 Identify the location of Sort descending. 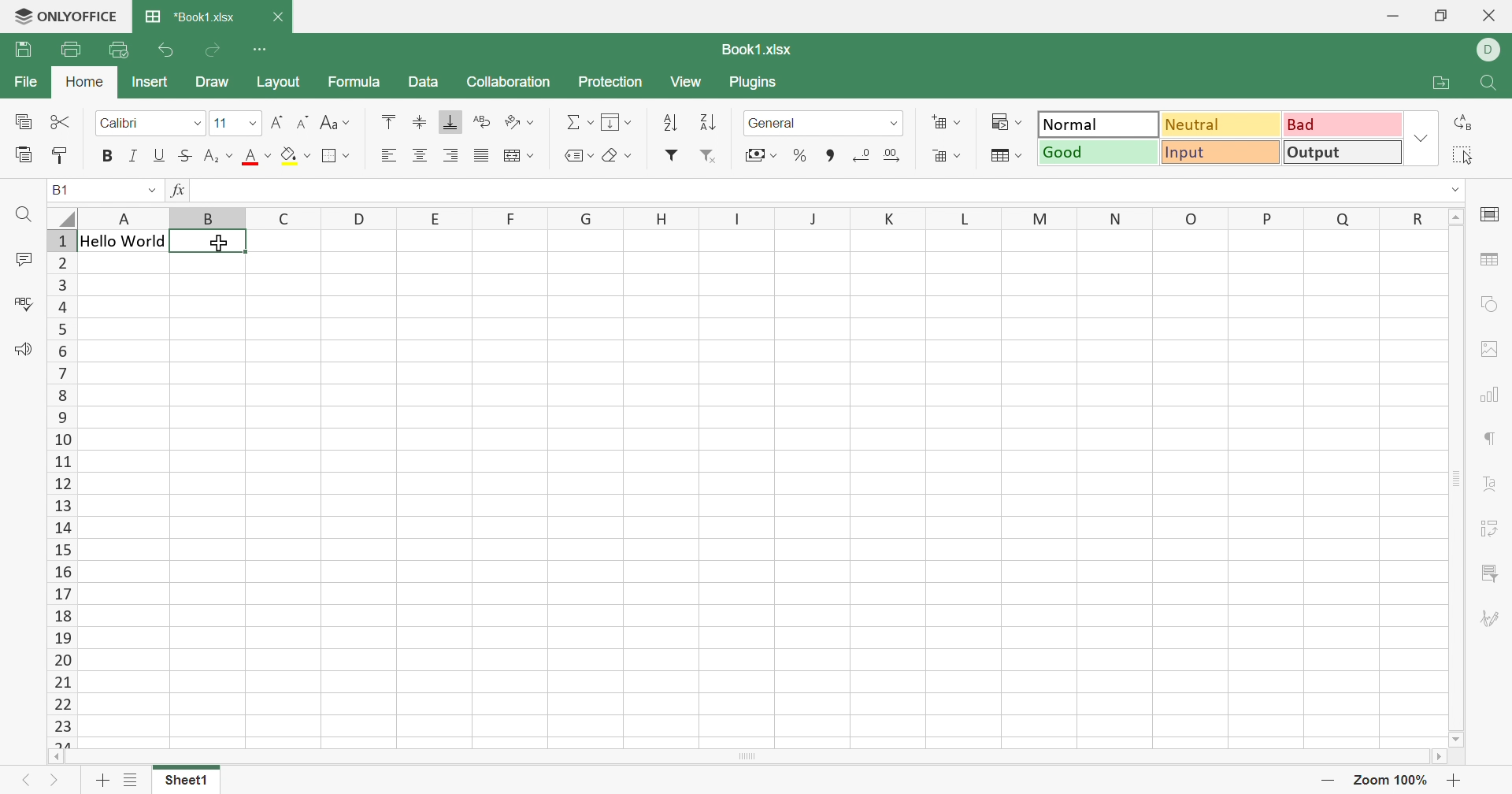
(708, 122).